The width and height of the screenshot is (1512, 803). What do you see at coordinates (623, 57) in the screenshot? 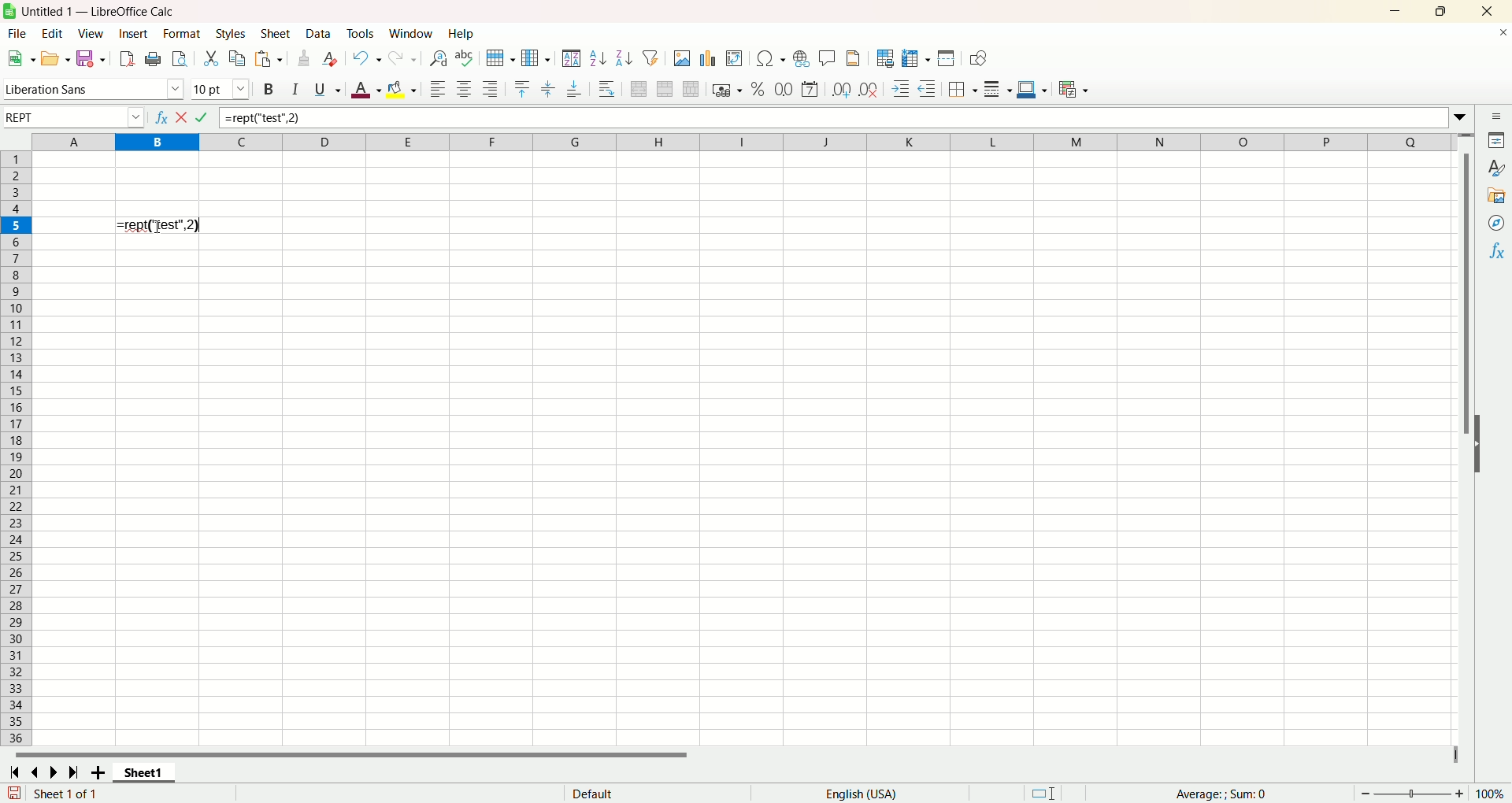
I see `sort descending` at bounding box center [623, 57].